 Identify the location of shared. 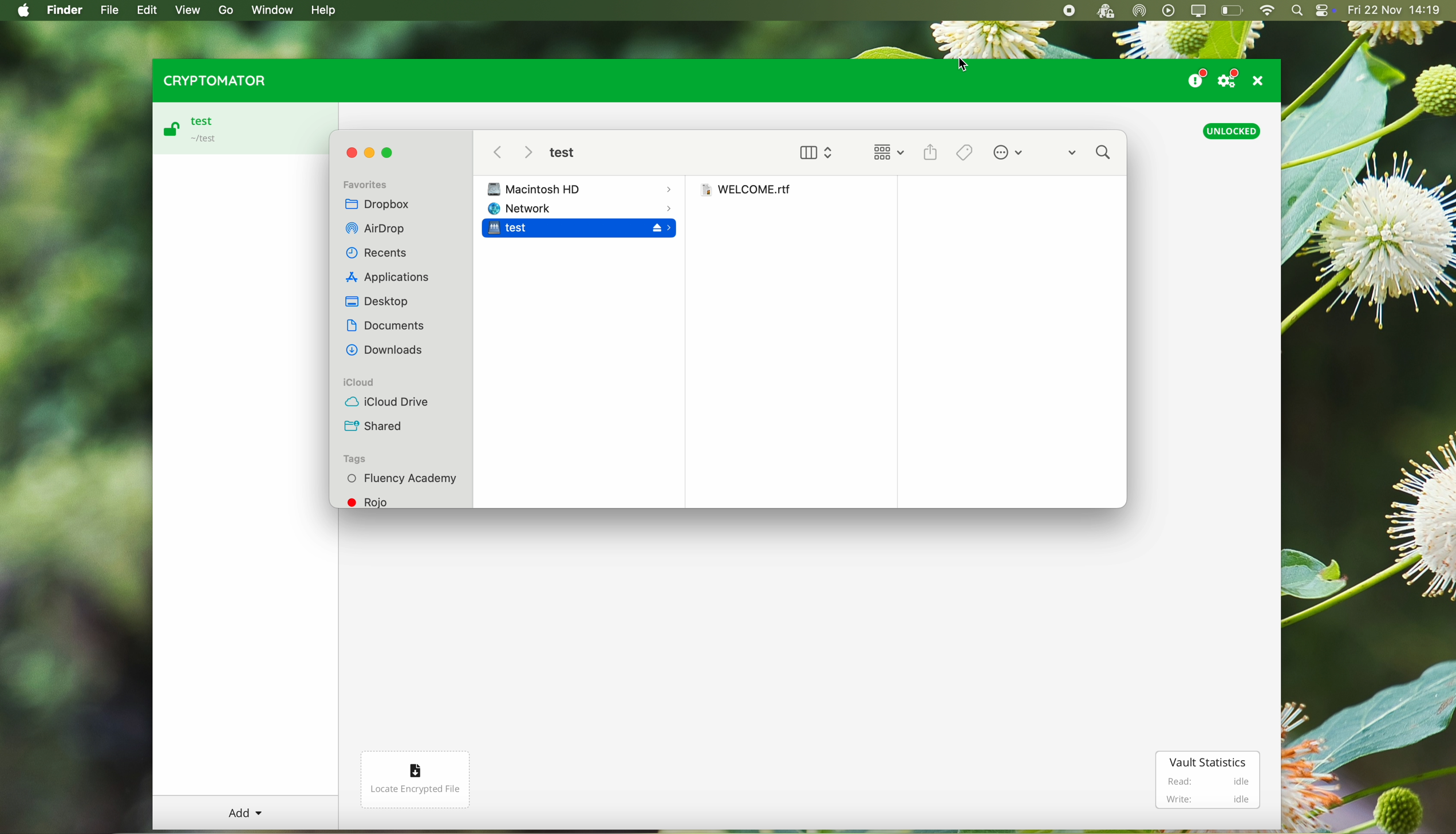
(376, 426).